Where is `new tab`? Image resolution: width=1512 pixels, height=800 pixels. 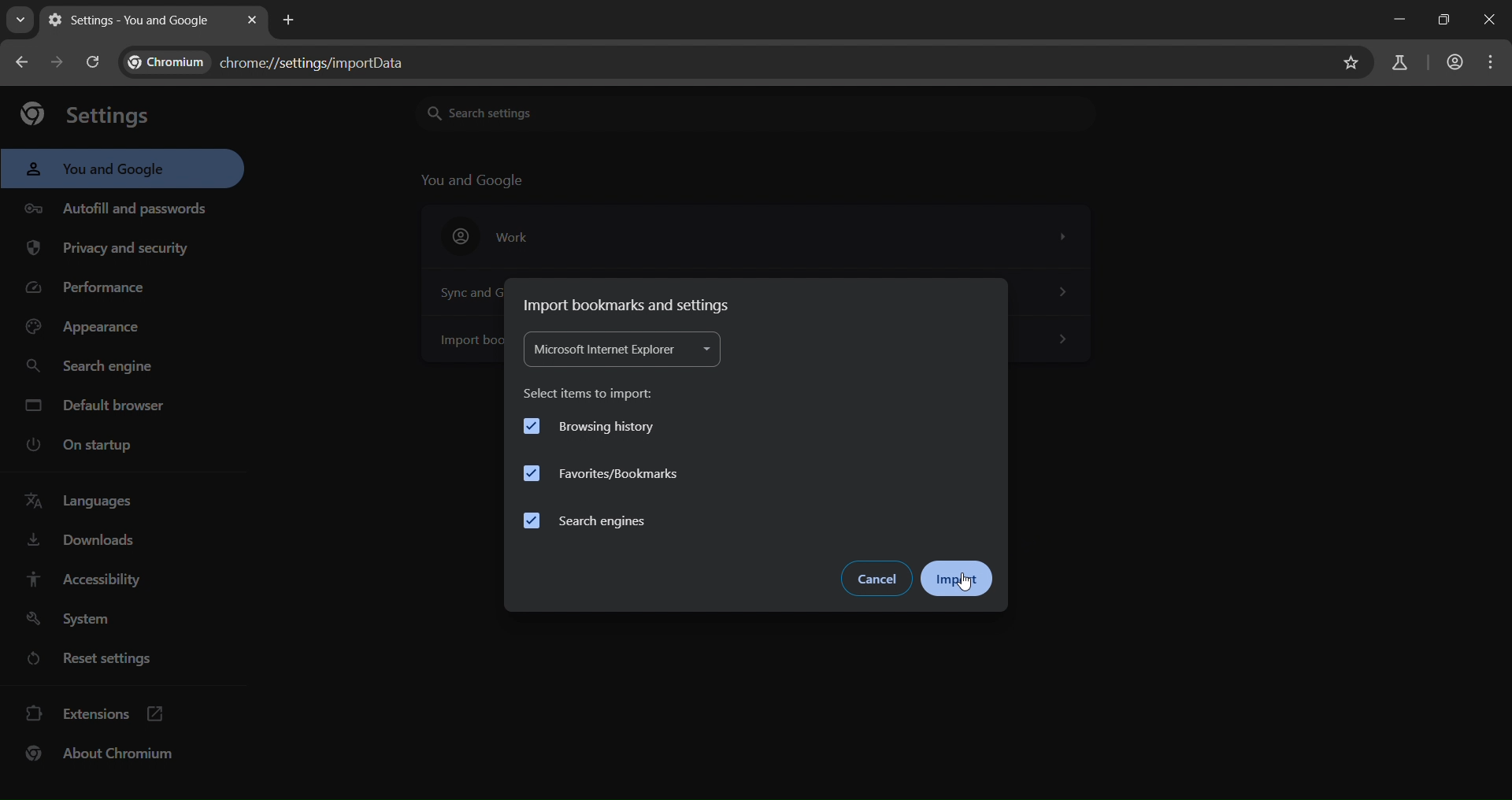 new tab is located at coordinates (285, 20).